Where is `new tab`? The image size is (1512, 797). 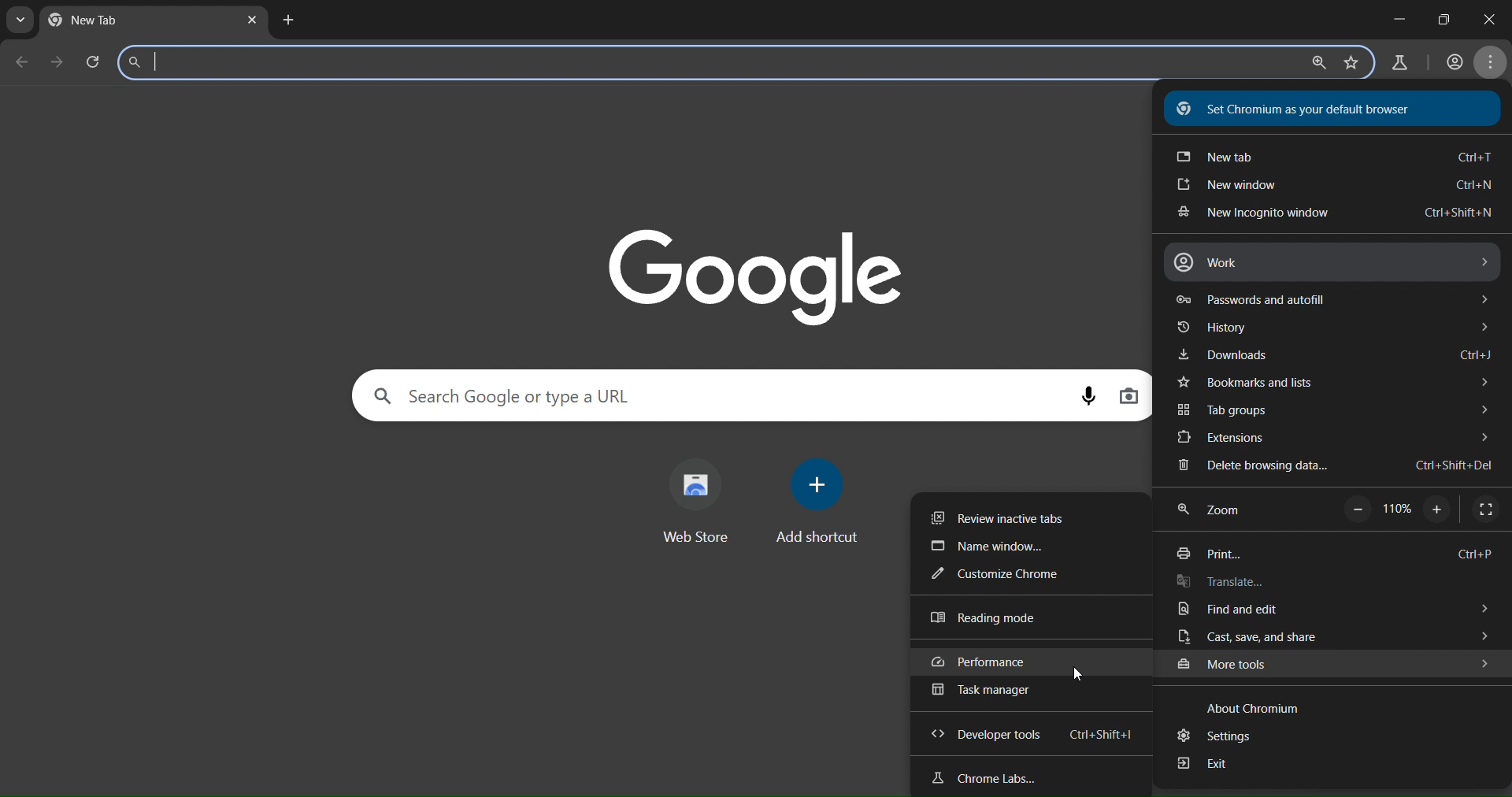 new tab is located at coordinates (106, 20).